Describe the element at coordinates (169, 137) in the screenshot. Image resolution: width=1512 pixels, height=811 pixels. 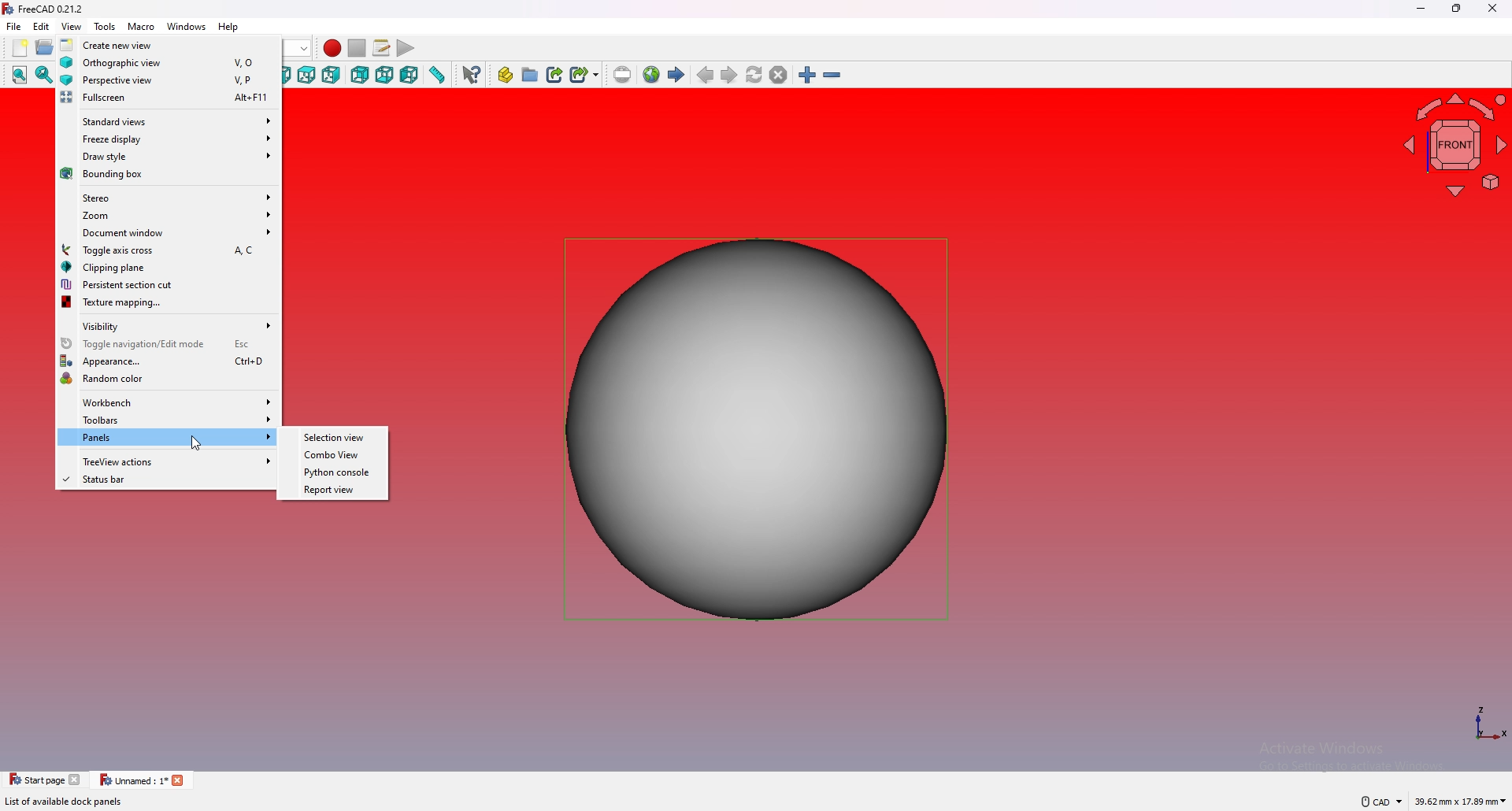
I see `freeze display` at that location.